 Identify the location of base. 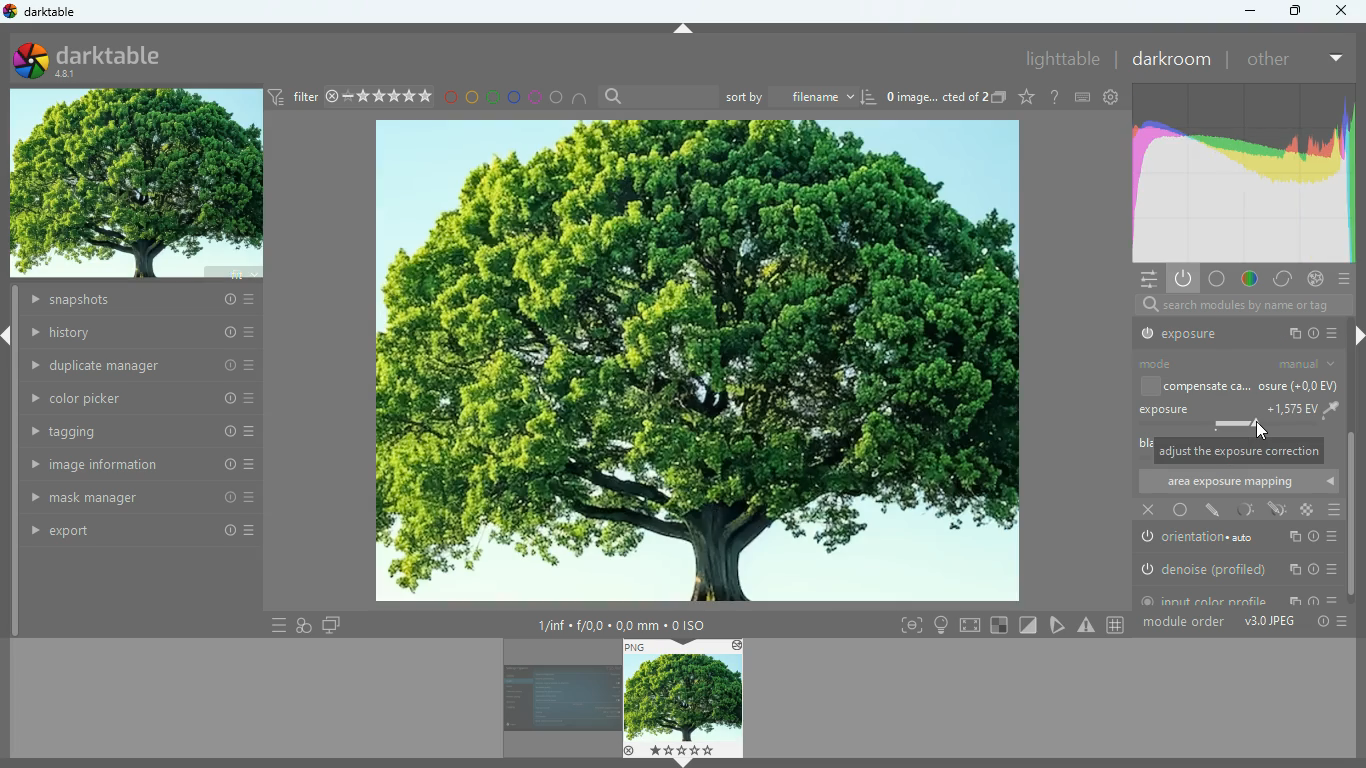
(1221, 278).